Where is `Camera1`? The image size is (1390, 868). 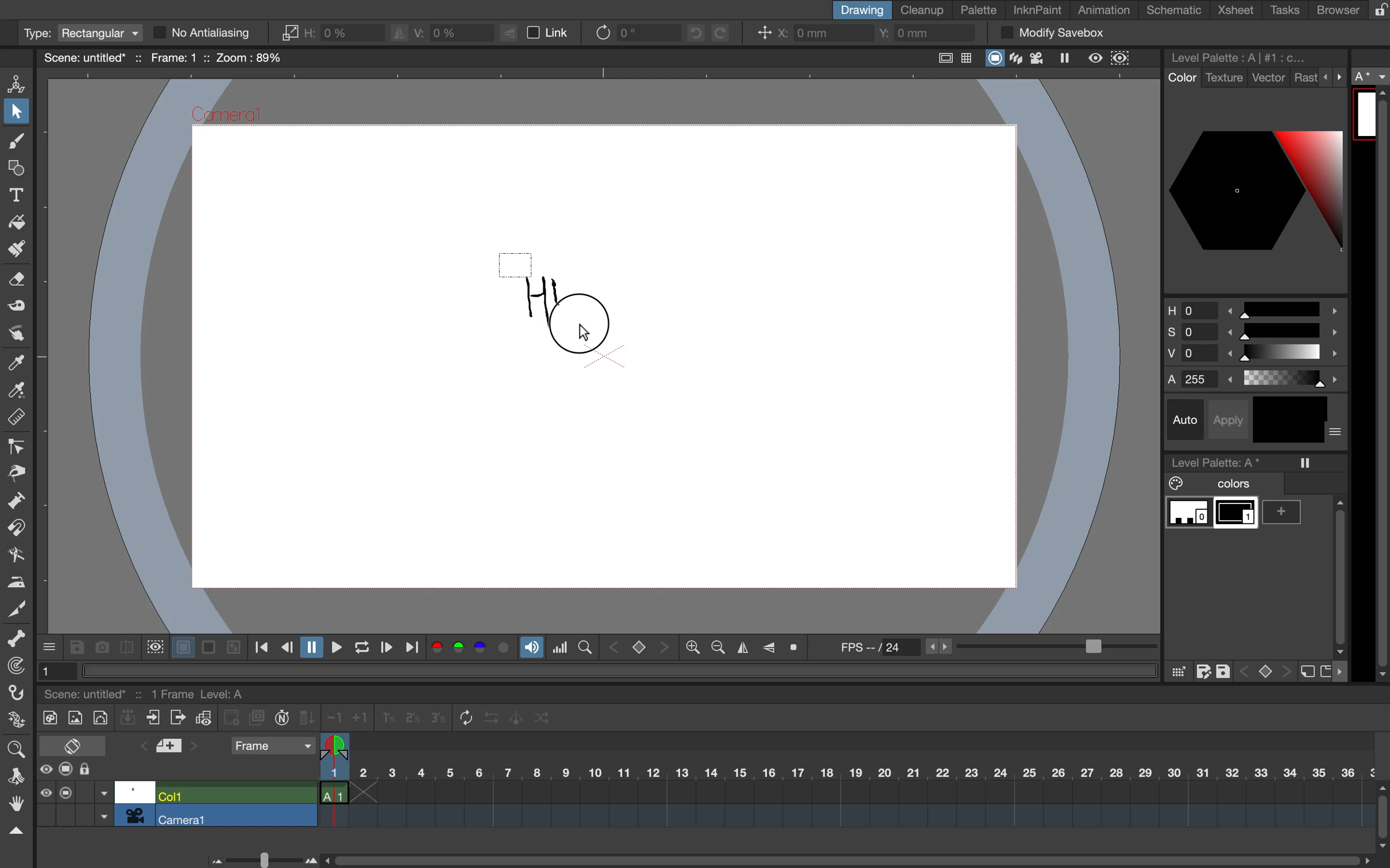 Camera1 is located at coordinates (228, 116).